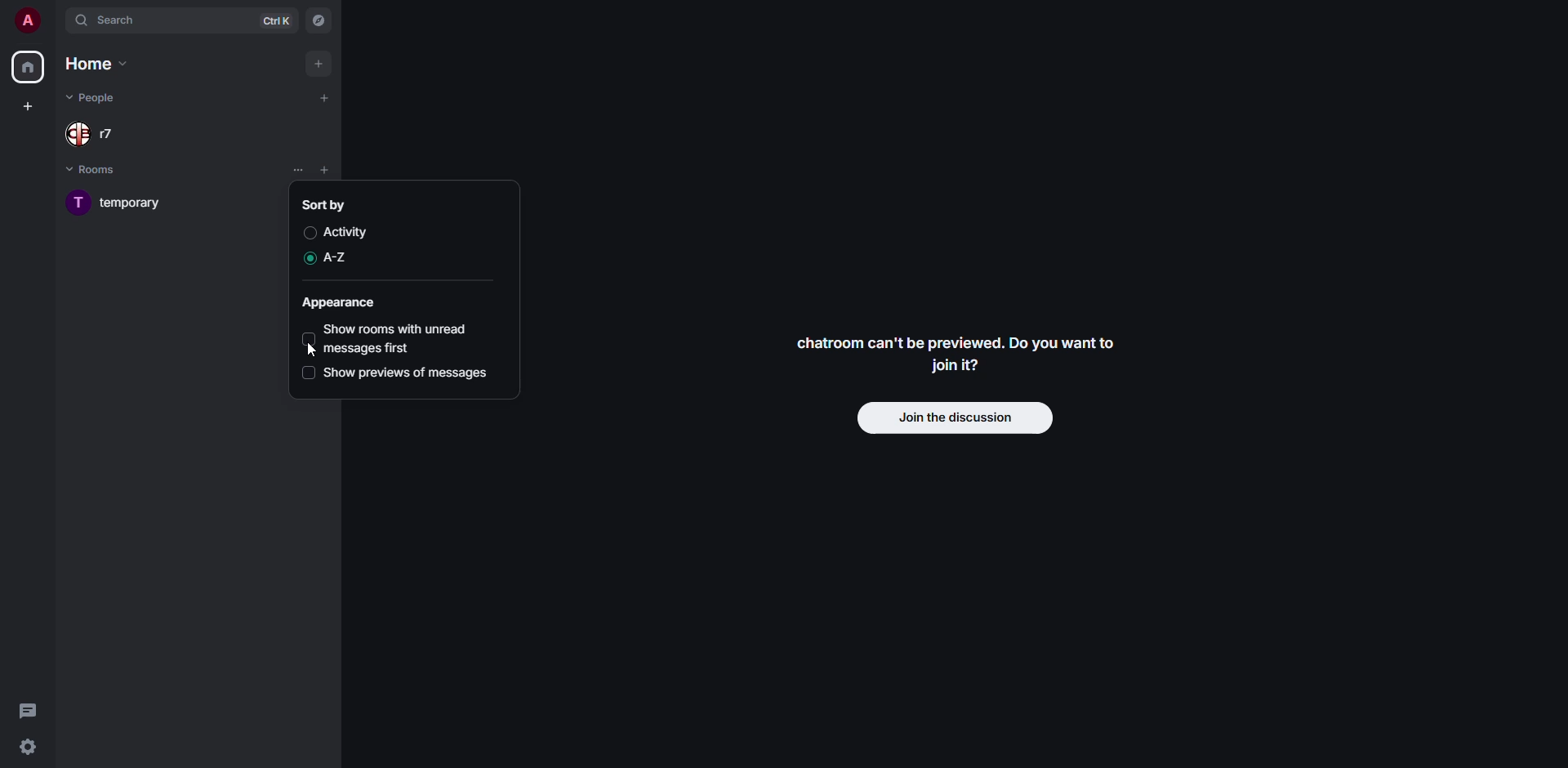 The image size is (1568, 768). I want to click on home, so click(28, 68).